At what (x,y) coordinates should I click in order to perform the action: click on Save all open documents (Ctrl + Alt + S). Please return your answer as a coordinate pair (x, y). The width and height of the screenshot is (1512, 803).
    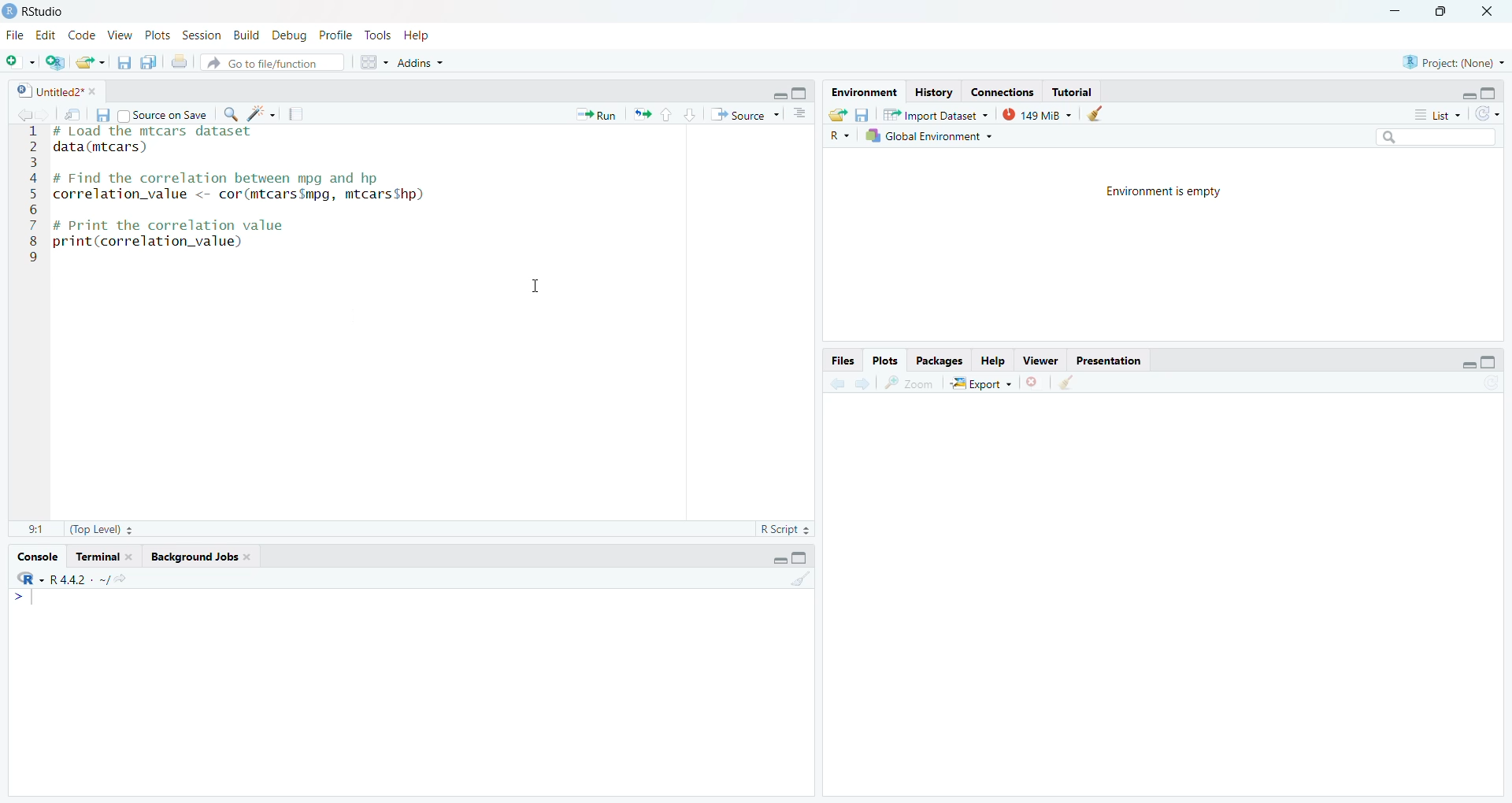
    Looking at the image, I should click on (147, 63).